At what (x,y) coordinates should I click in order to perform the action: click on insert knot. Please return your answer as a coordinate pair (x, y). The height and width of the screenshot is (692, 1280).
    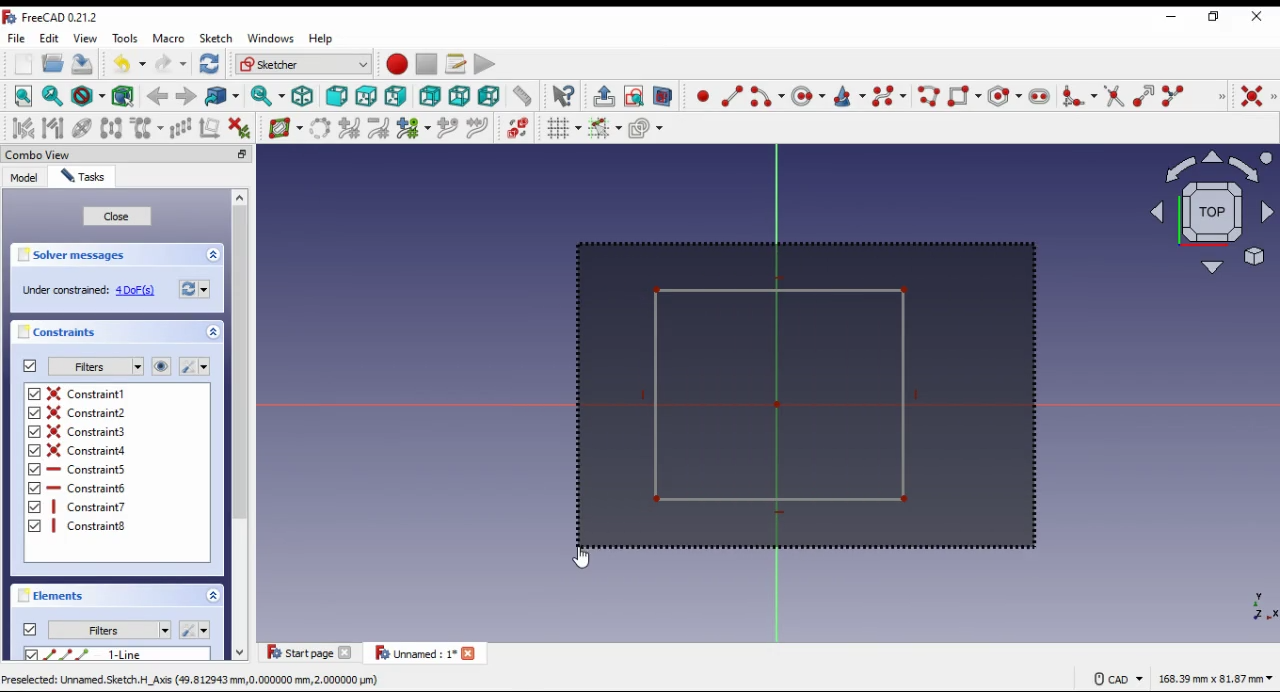
    Looking at the image, I should click on (447, 129).